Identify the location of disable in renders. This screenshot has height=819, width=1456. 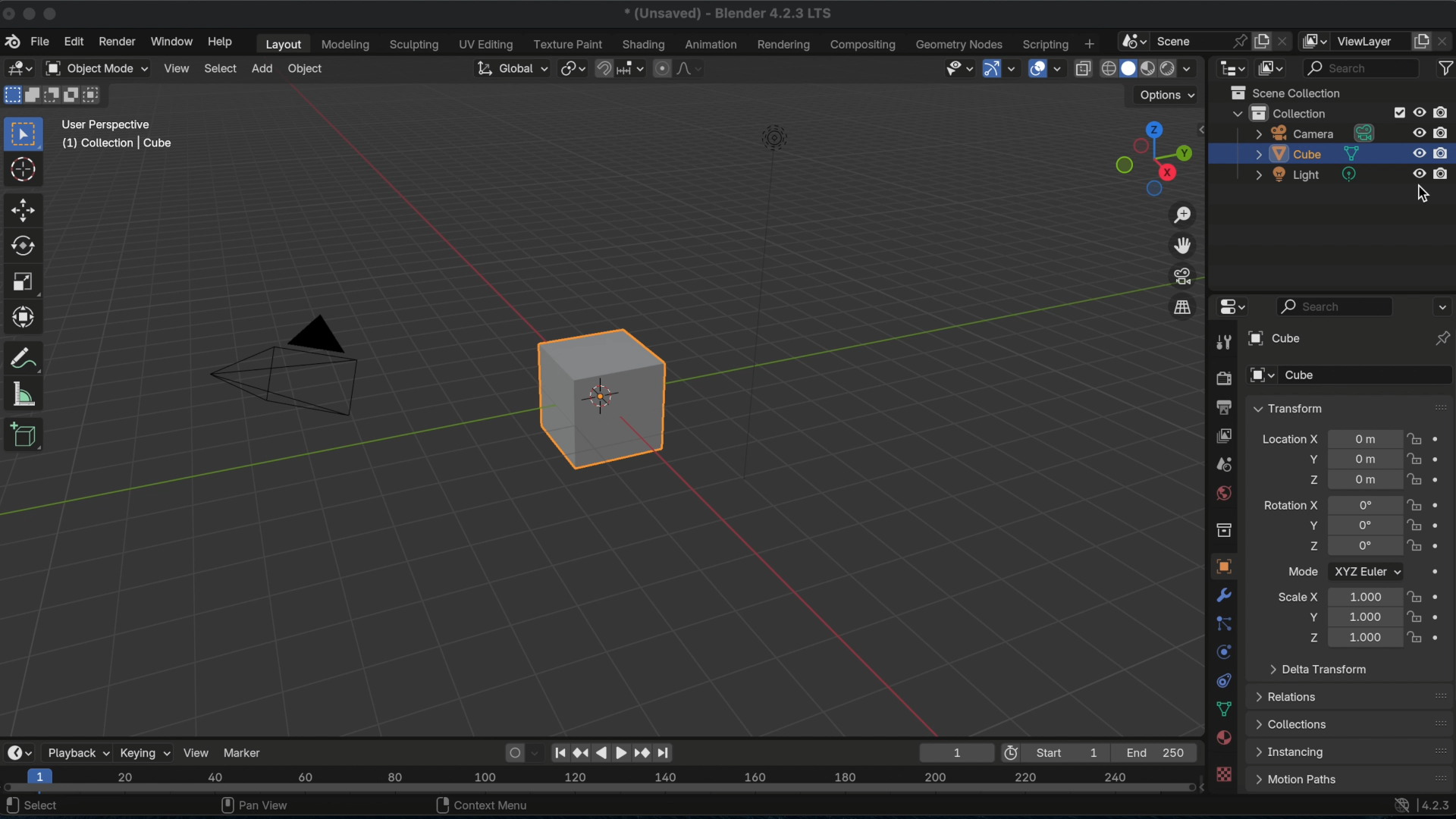
(1443, 130).